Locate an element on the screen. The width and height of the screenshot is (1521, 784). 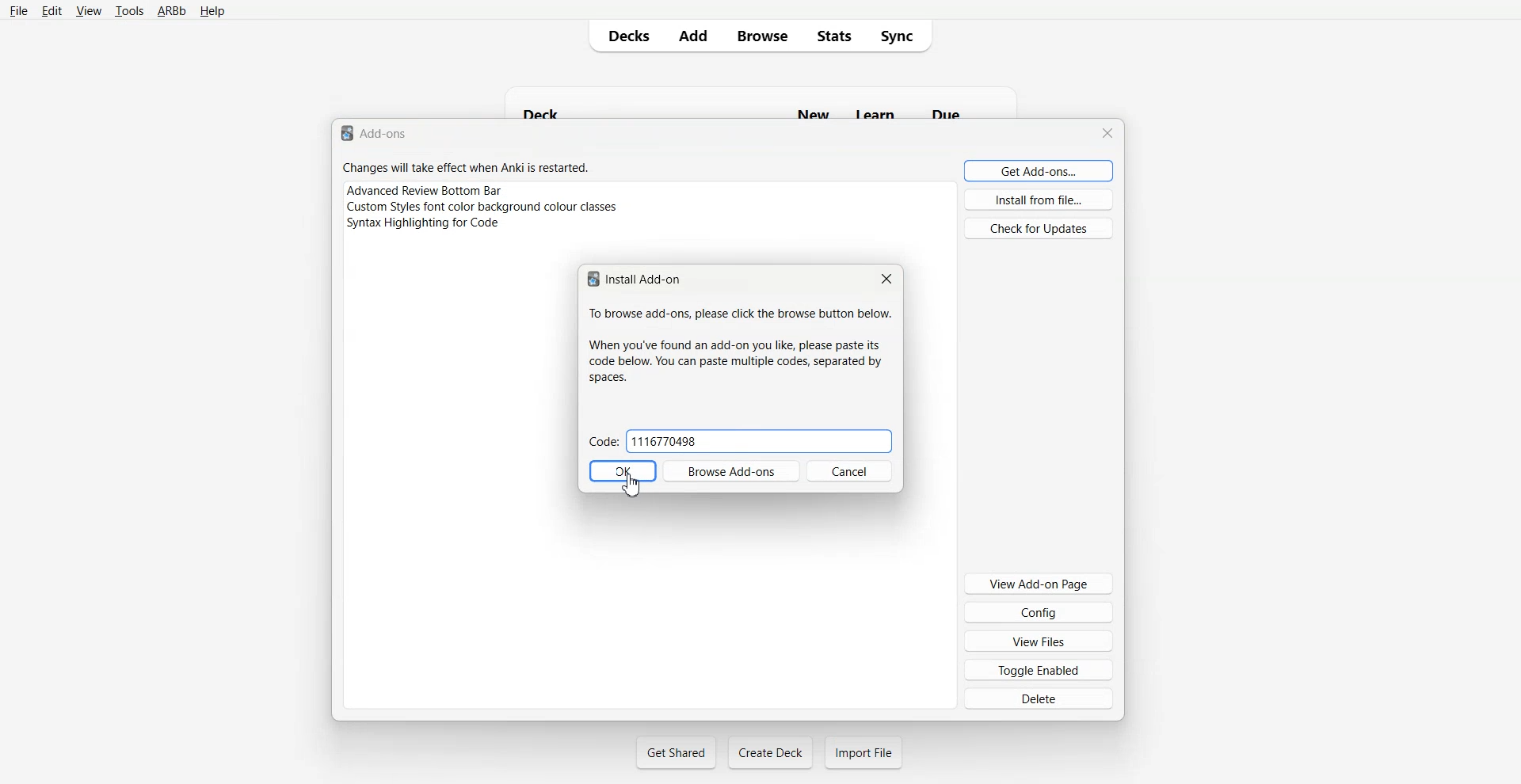
Close is located at coordinates (1106, 132).